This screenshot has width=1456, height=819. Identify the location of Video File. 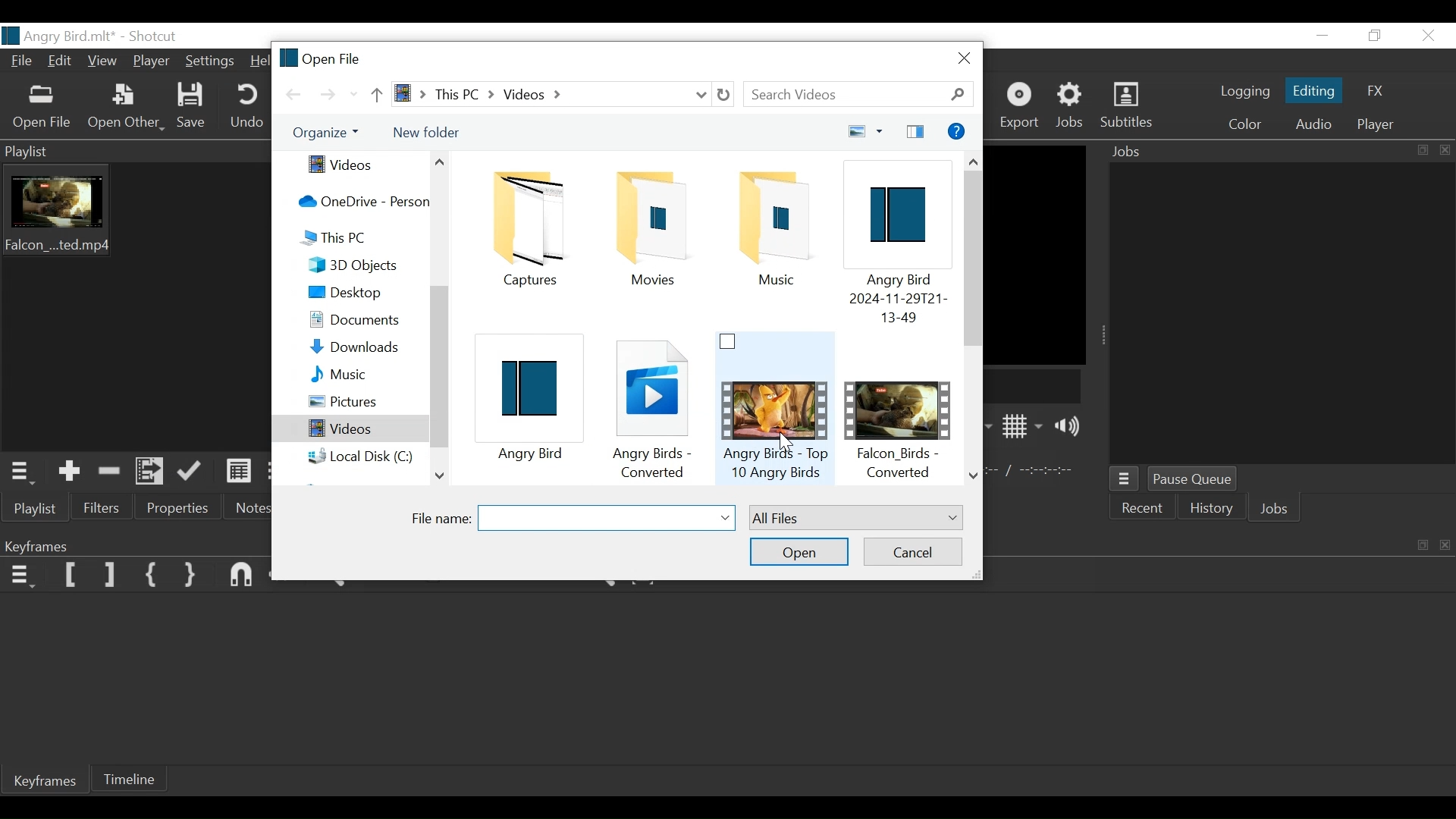
(898, 411).